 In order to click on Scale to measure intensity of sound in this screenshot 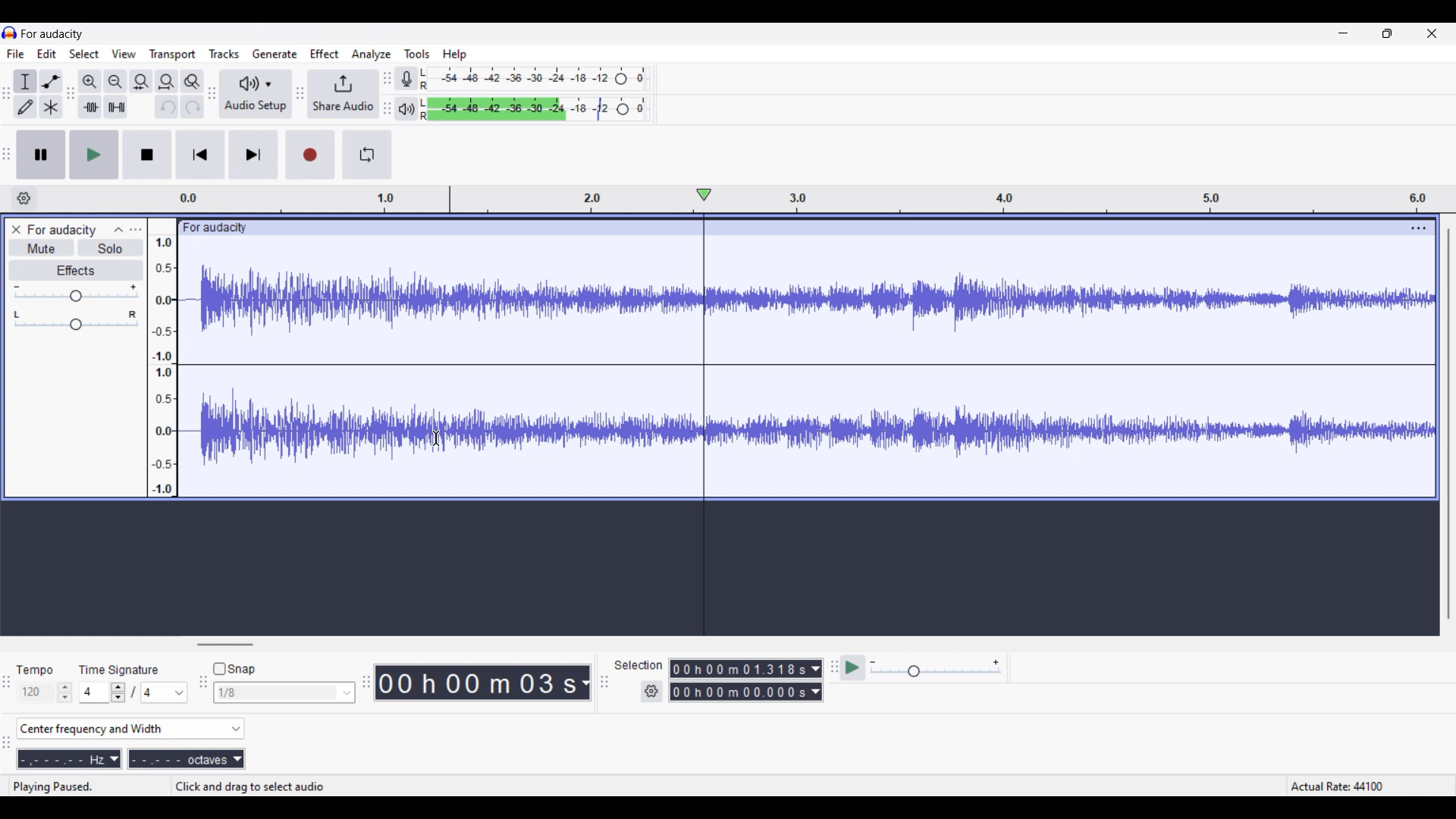, I will do `click(164, 366)`.